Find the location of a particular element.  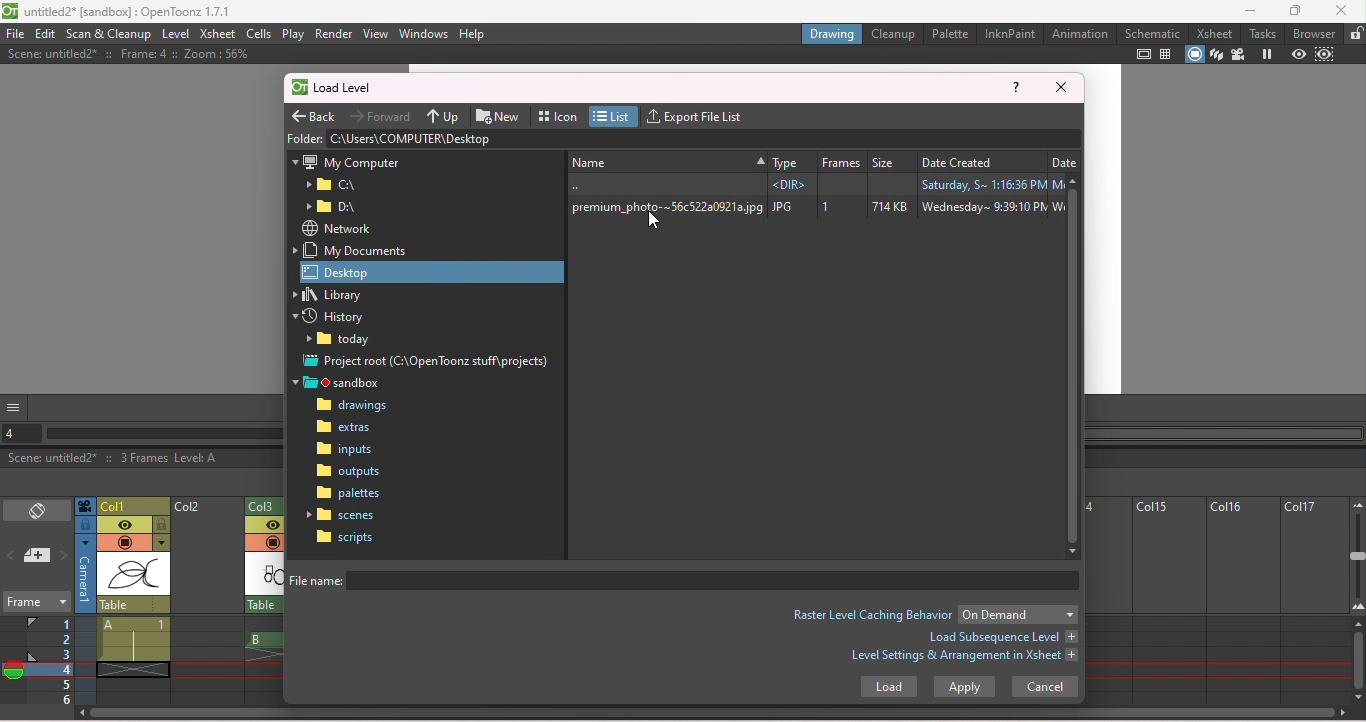

Vertical scroll bar is located at coordinates (1358, 662).